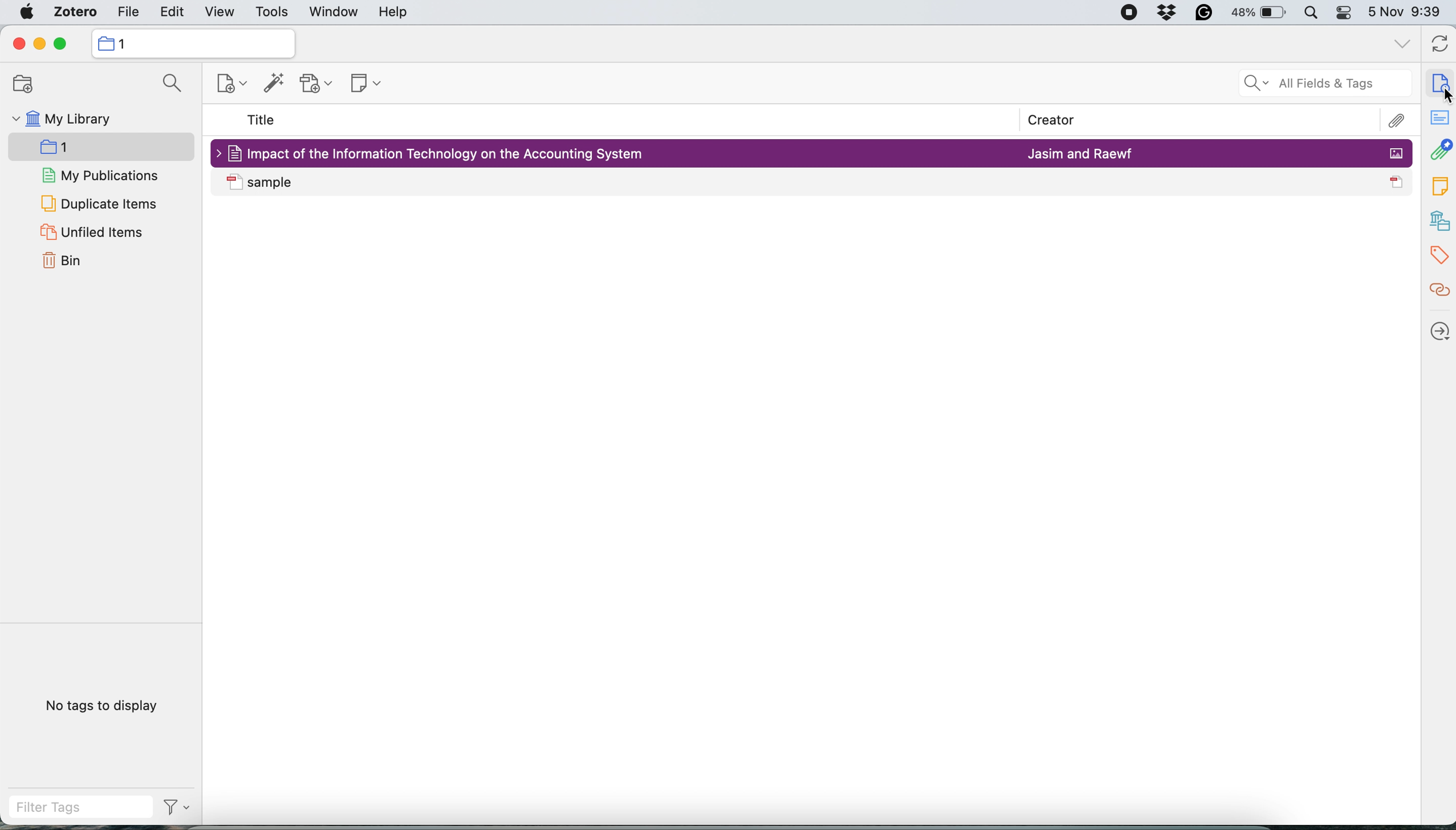 This screenshot has width=1456, height=830. Describe the element at coordinates (1439, 220) in the screenshot. I see `libraries and collections` at that location.